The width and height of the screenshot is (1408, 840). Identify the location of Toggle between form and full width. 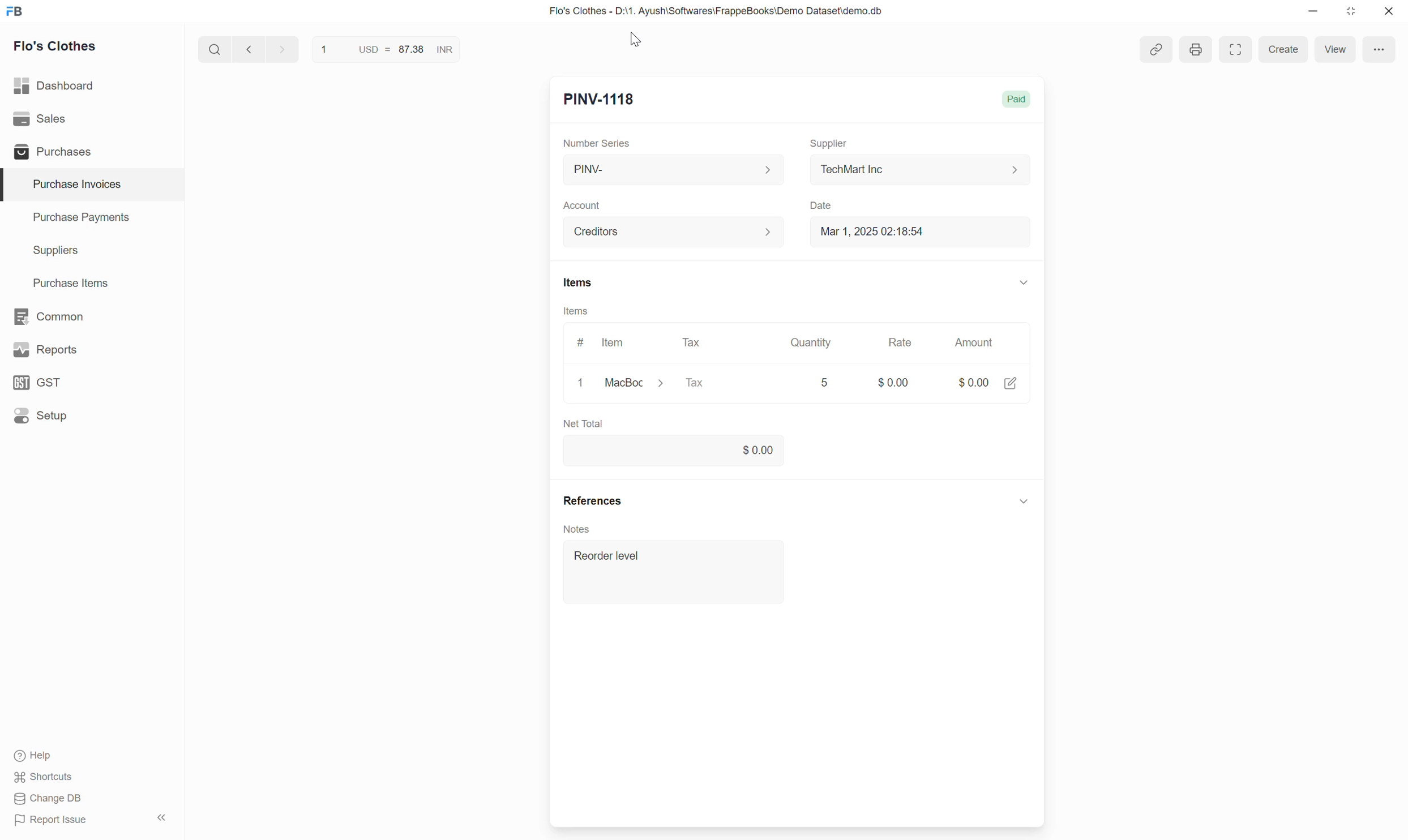
(1236, 48).